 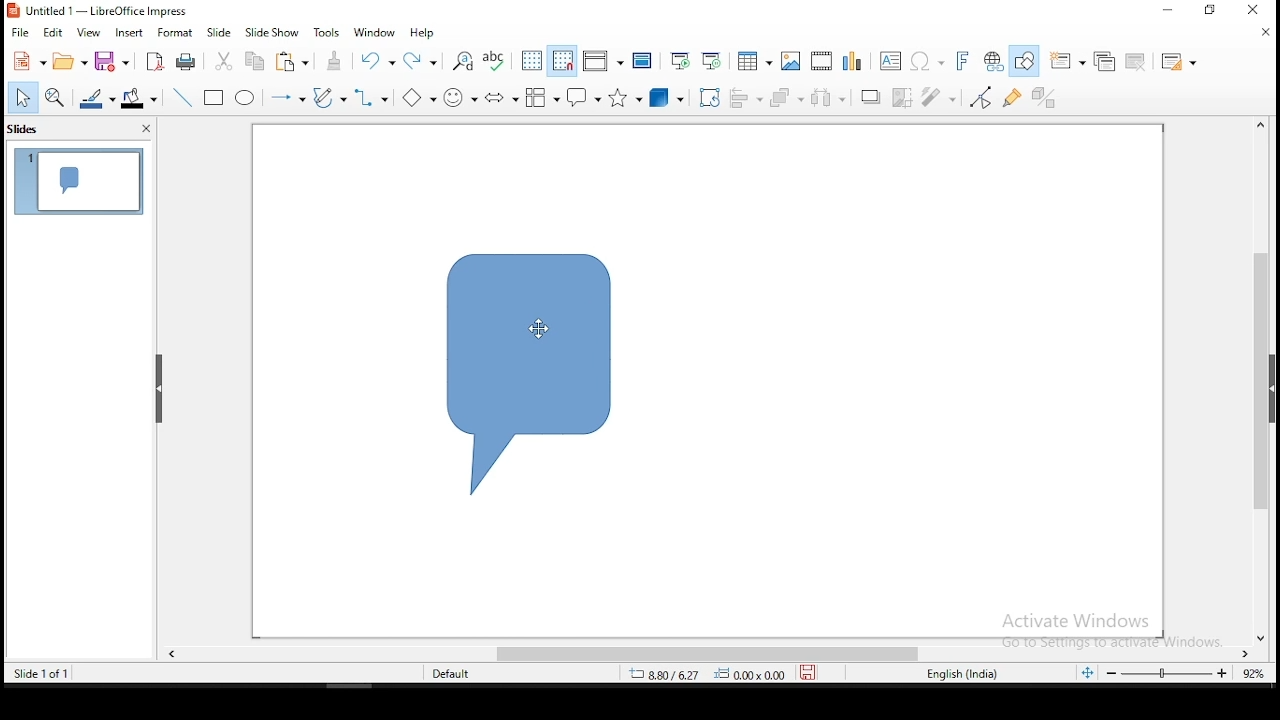 I want to click on delete slide, so click(x=1139, y=61).